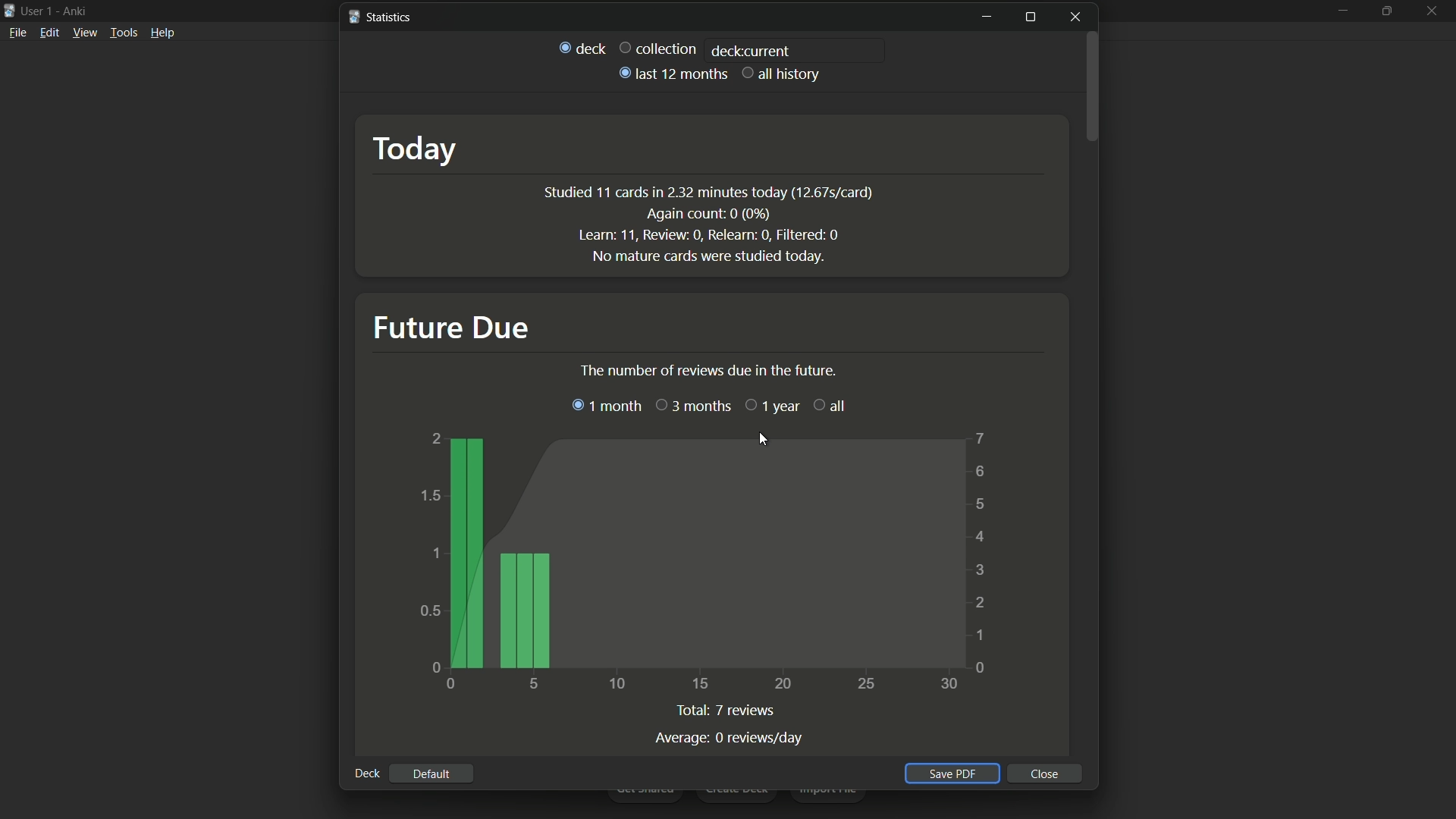 The width and height of the screenshot is (1456, 819). What do you see at coordinates (450, 328) in the screenshot?
I see `future due` at bounding box center [450, 328].